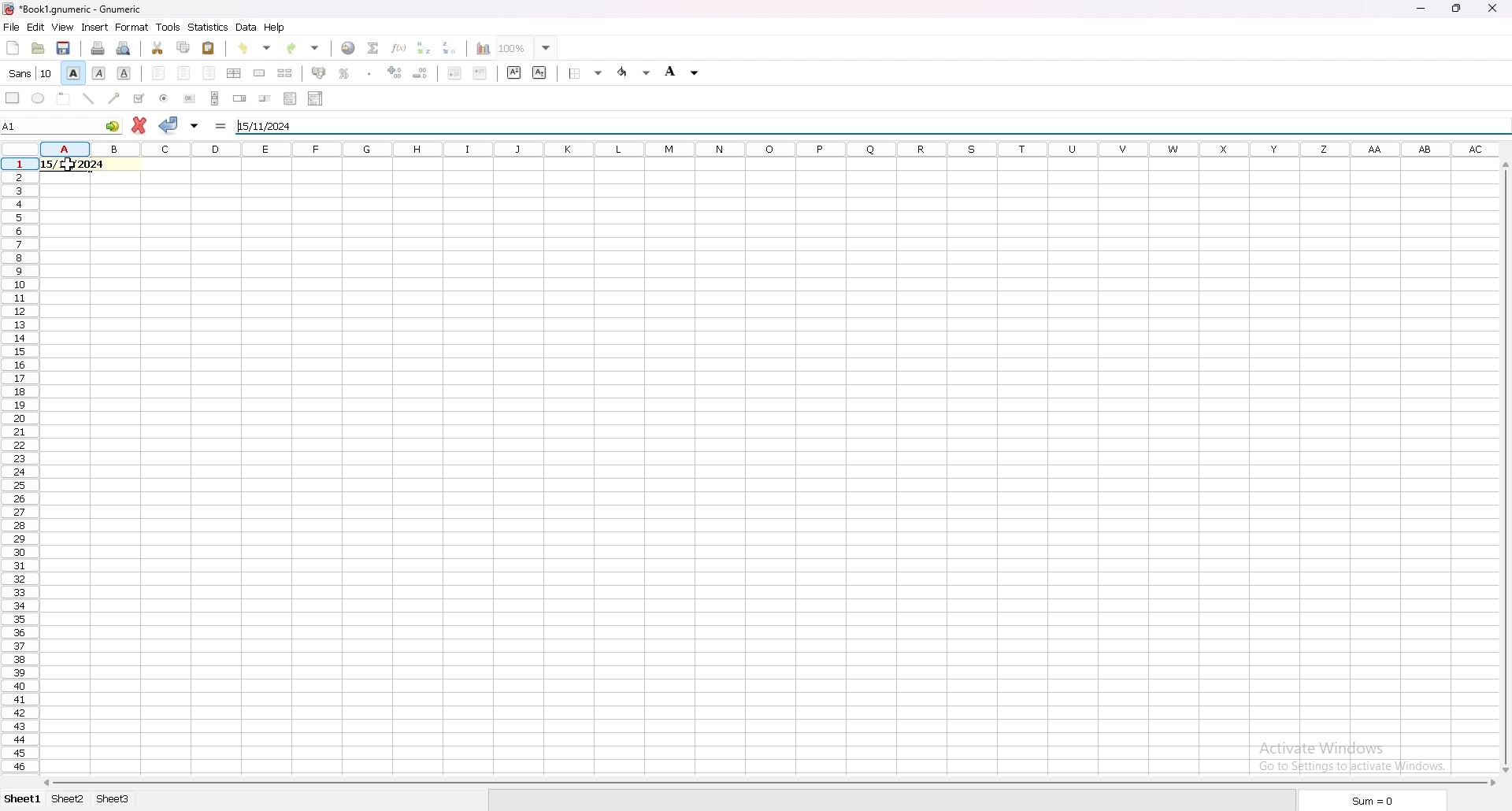 This screenshot has width=1512, height=811. Describe the element at coordinates (772, 148) in the screenshot. I see `column` at that location.